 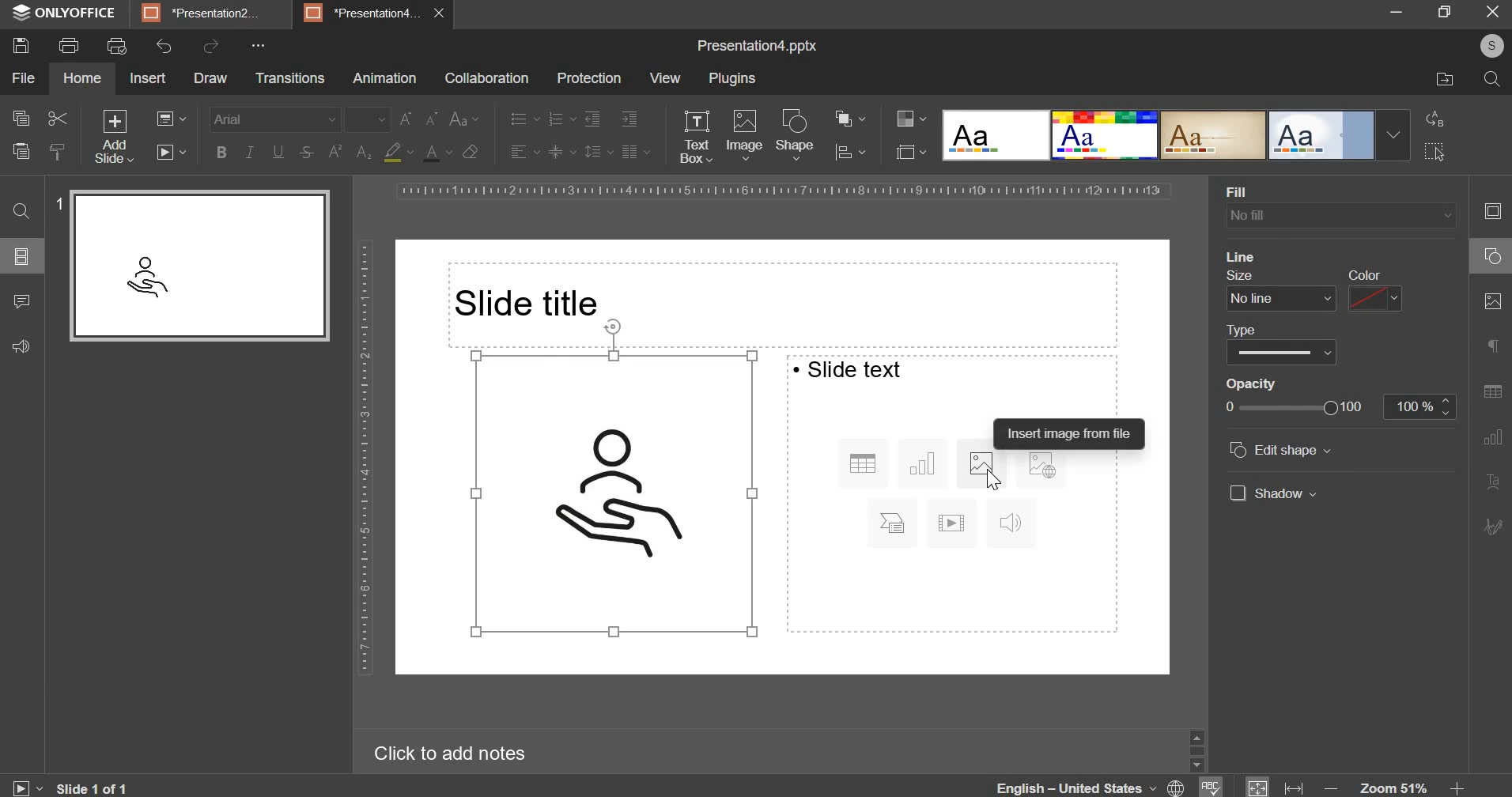 I want to click on decrease zoom, so click(x=1334, y=788).